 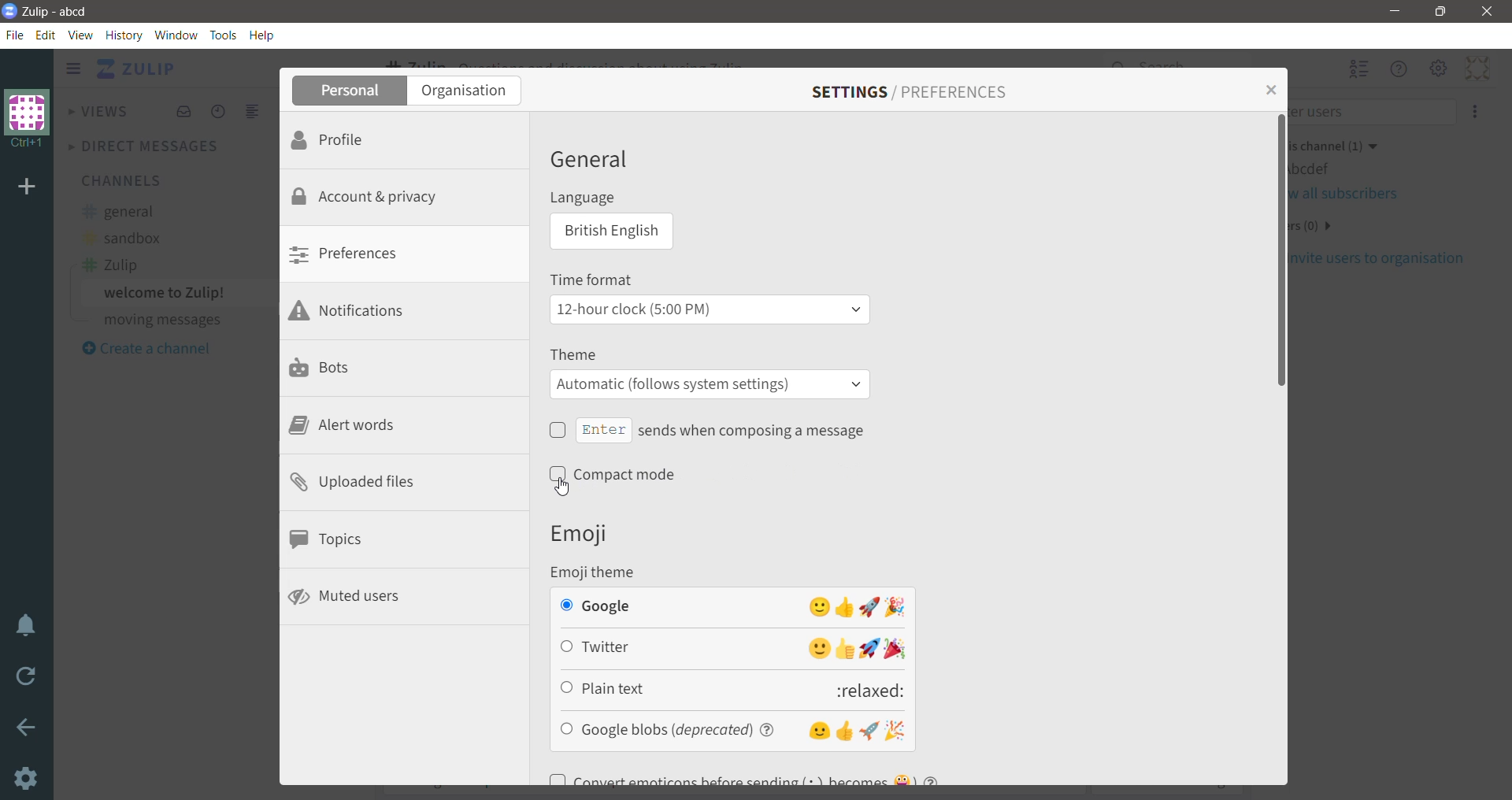 What do you see at coordinates (584, 534) in the screenshot?
I see `Emoji` at bounding box center [584, 534].